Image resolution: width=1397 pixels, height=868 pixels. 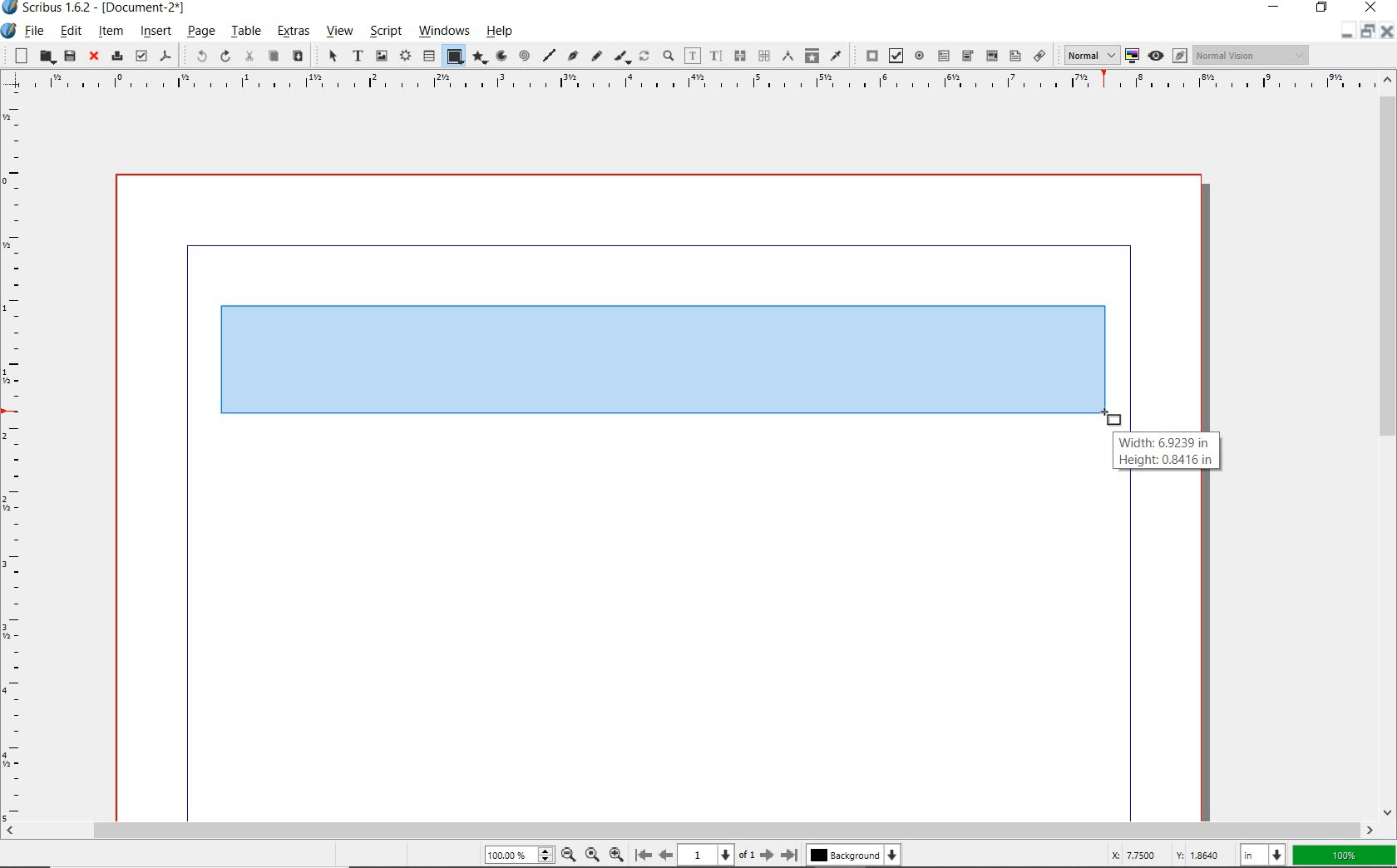 What do you see at coordinates (1039, 55) in the screenshot?
I see `link annotation` at bounding box center [1039, 55].